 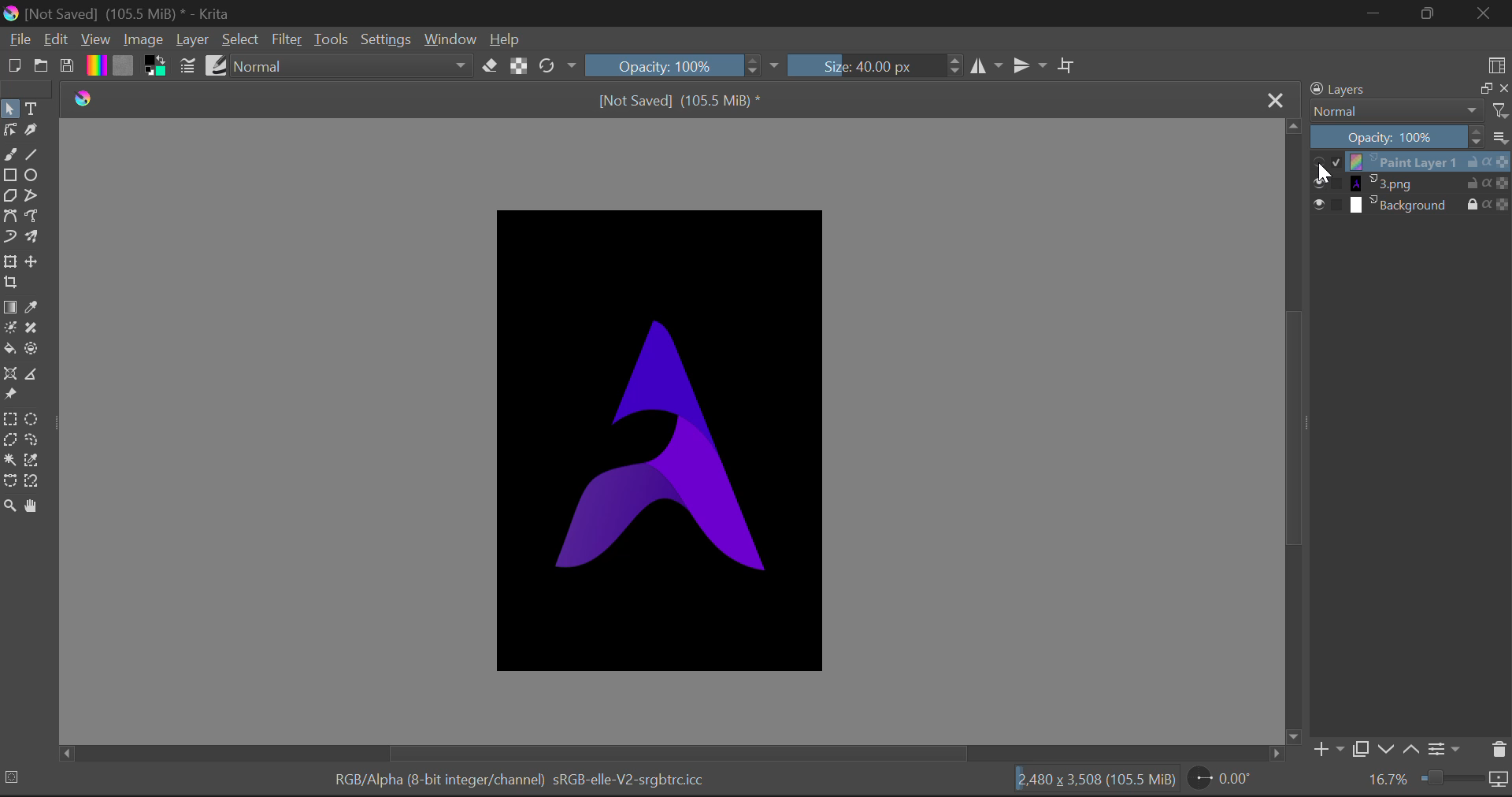 I want to click on Rotation, so click(x=558, y=65).